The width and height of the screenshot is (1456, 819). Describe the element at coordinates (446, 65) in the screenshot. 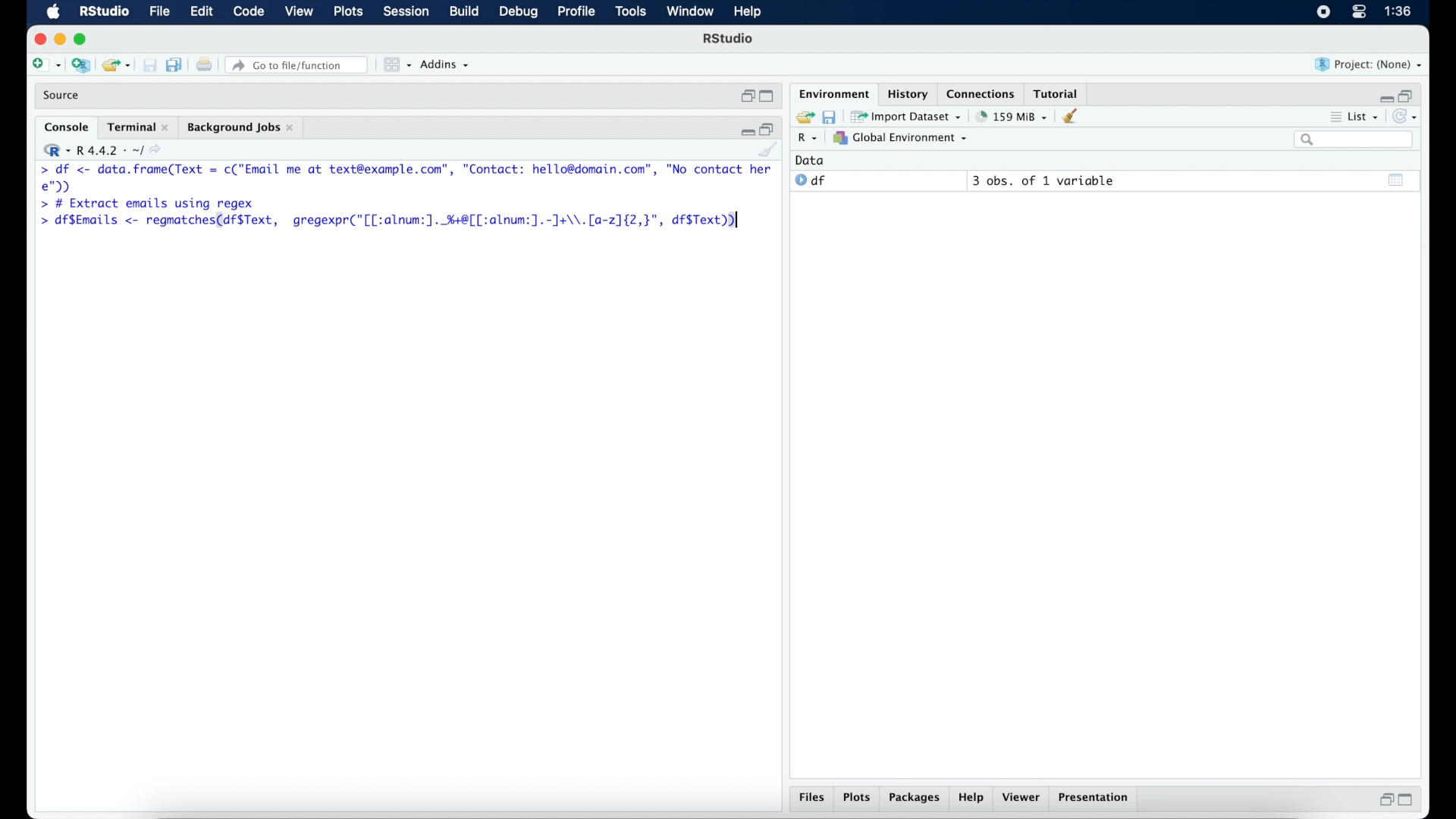

I see `addins` at that location.